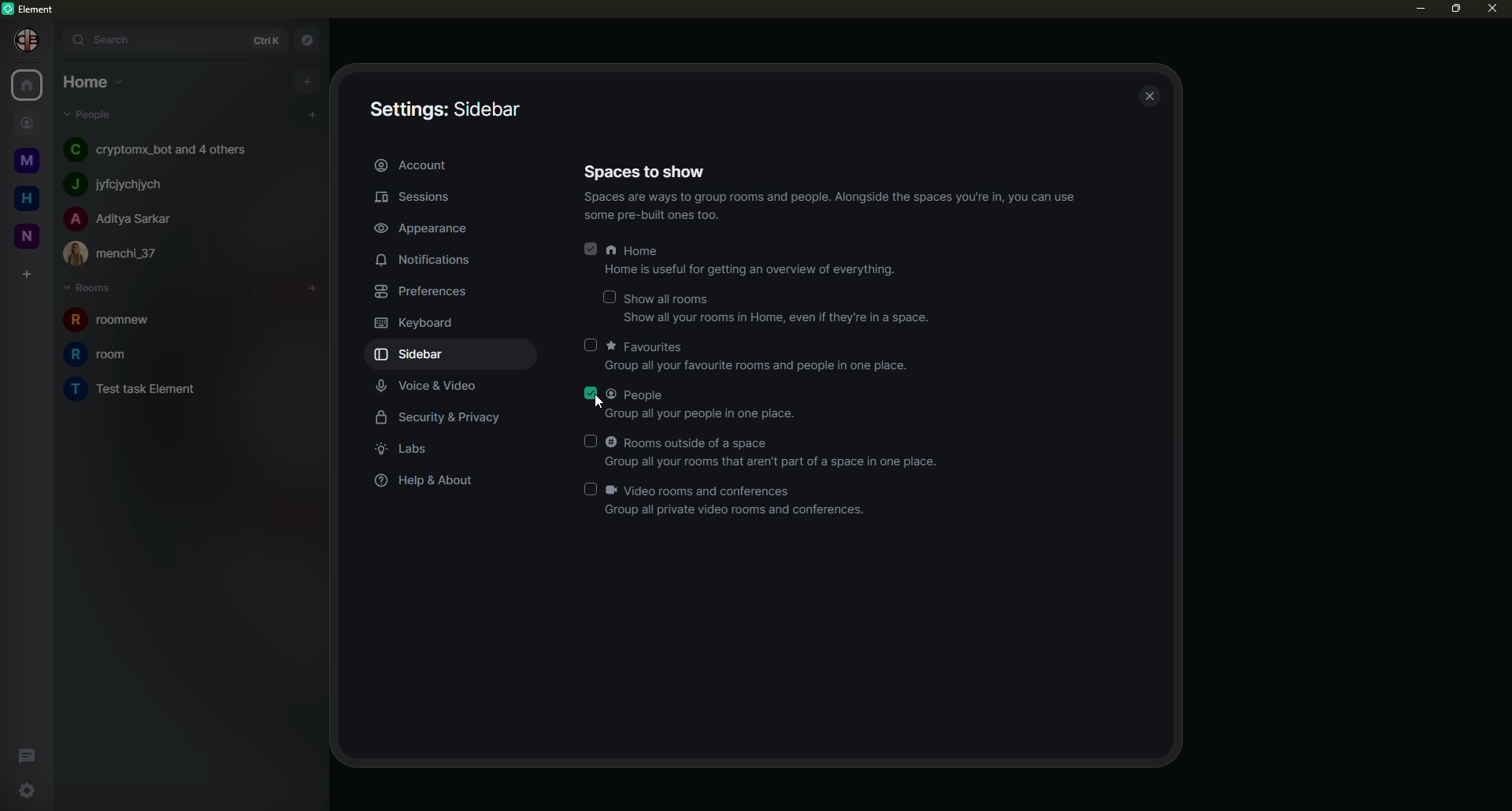 The image size is (1512, 811). What do you see at coordinates (444, 109) in the screenshot?
I see `sidebar` at bounding box center [444, 109].